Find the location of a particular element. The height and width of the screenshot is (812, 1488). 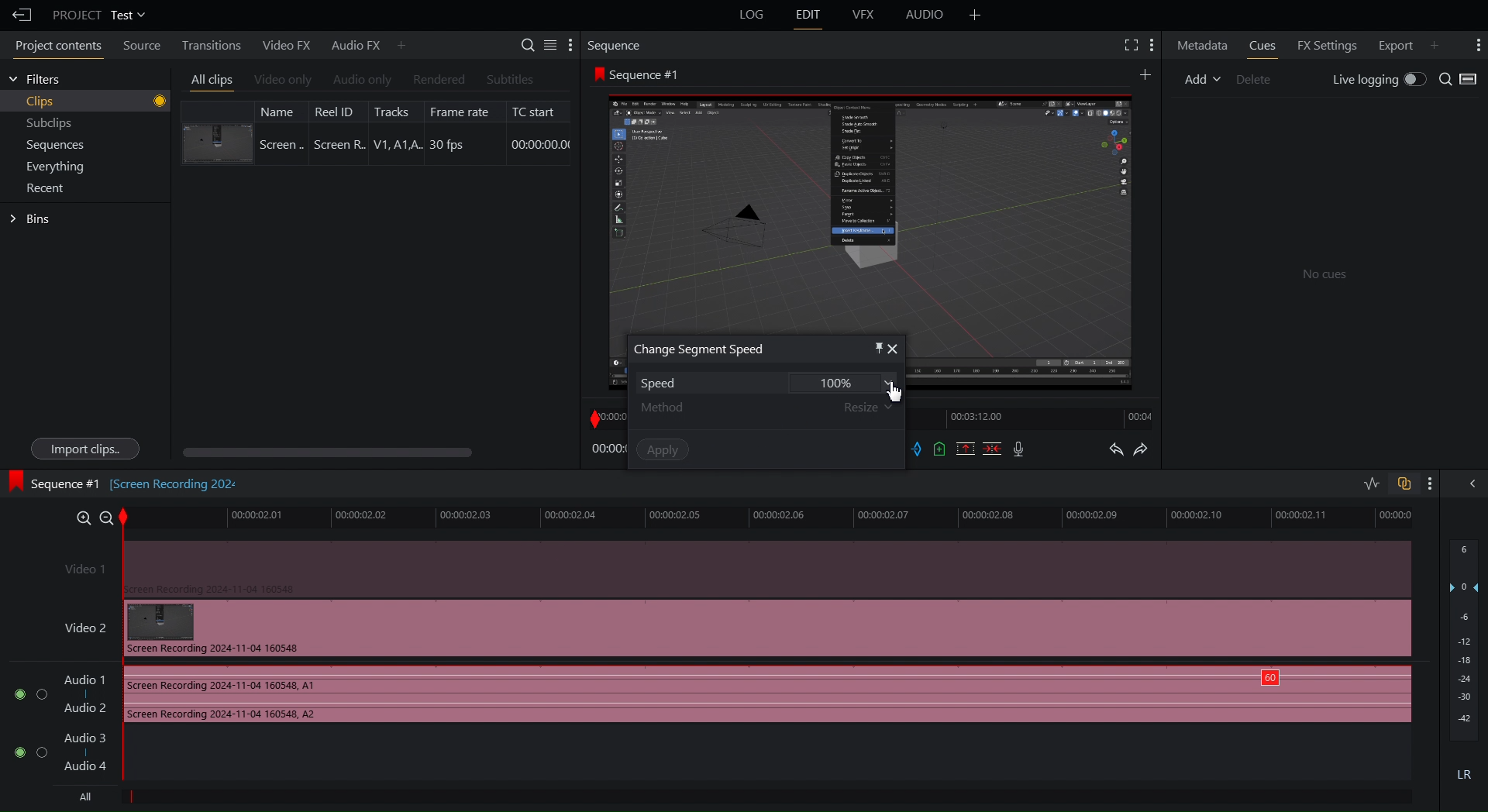

Subtitles is located at coordinates (511, 79).